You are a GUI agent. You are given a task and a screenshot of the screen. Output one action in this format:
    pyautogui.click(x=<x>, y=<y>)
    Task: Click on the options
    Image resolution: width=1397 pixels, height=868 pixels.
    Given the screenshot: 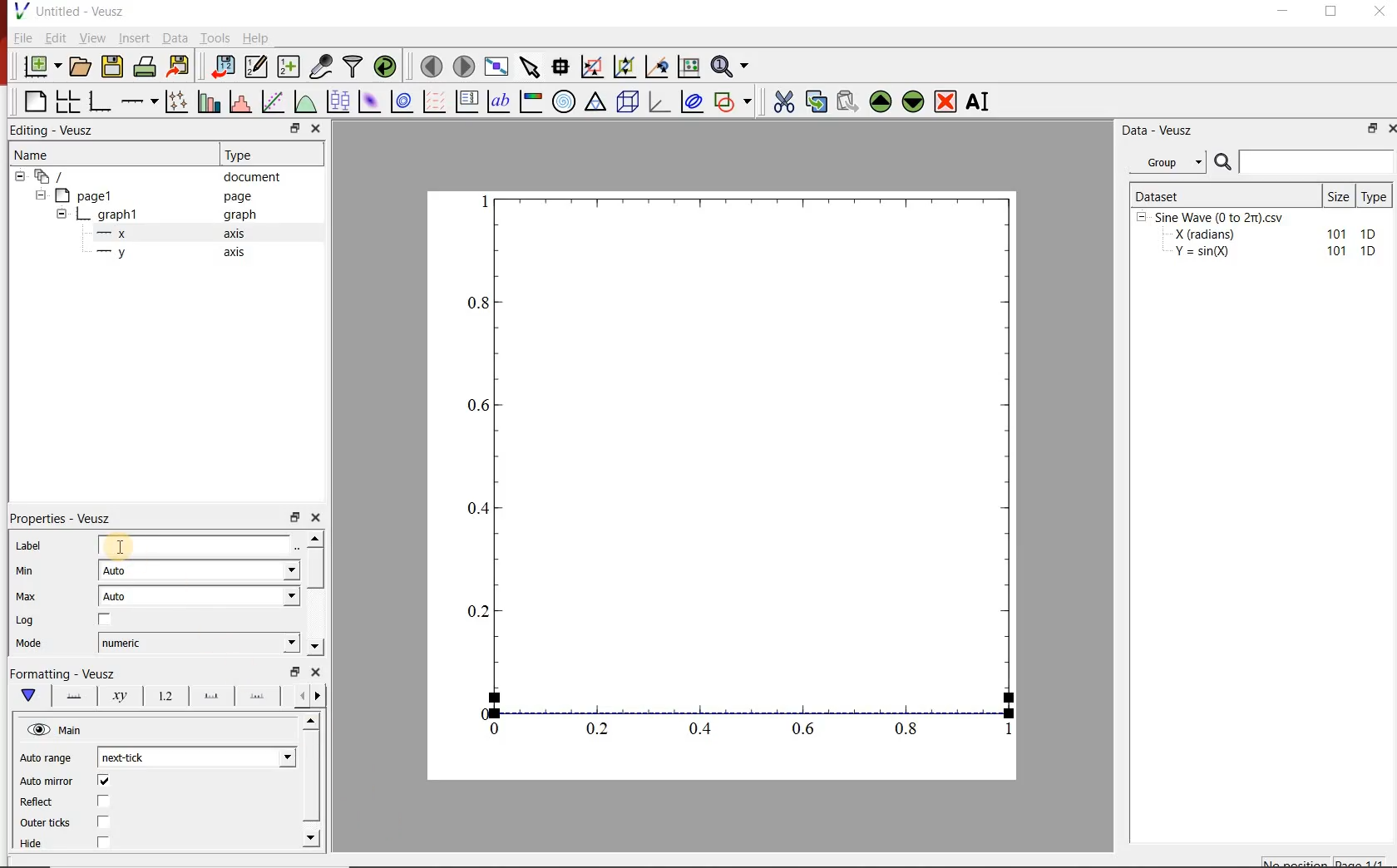 What is the action you would take?
    pyautogui.click(x=257, y=698)
    